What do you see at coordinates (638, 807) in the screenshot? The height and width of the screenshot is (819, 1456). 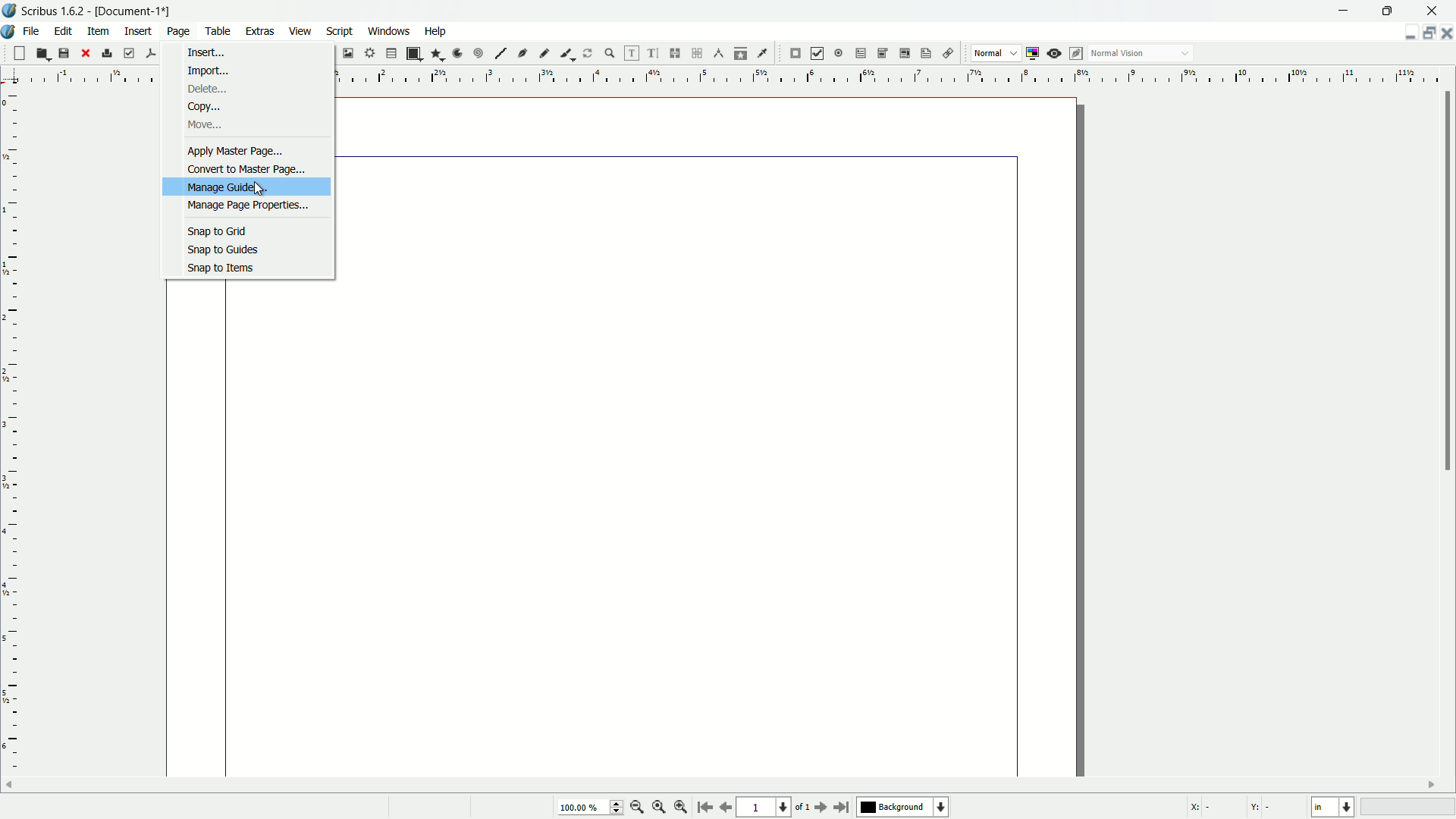 I see `zoom out` at bounding box center [638, 807].